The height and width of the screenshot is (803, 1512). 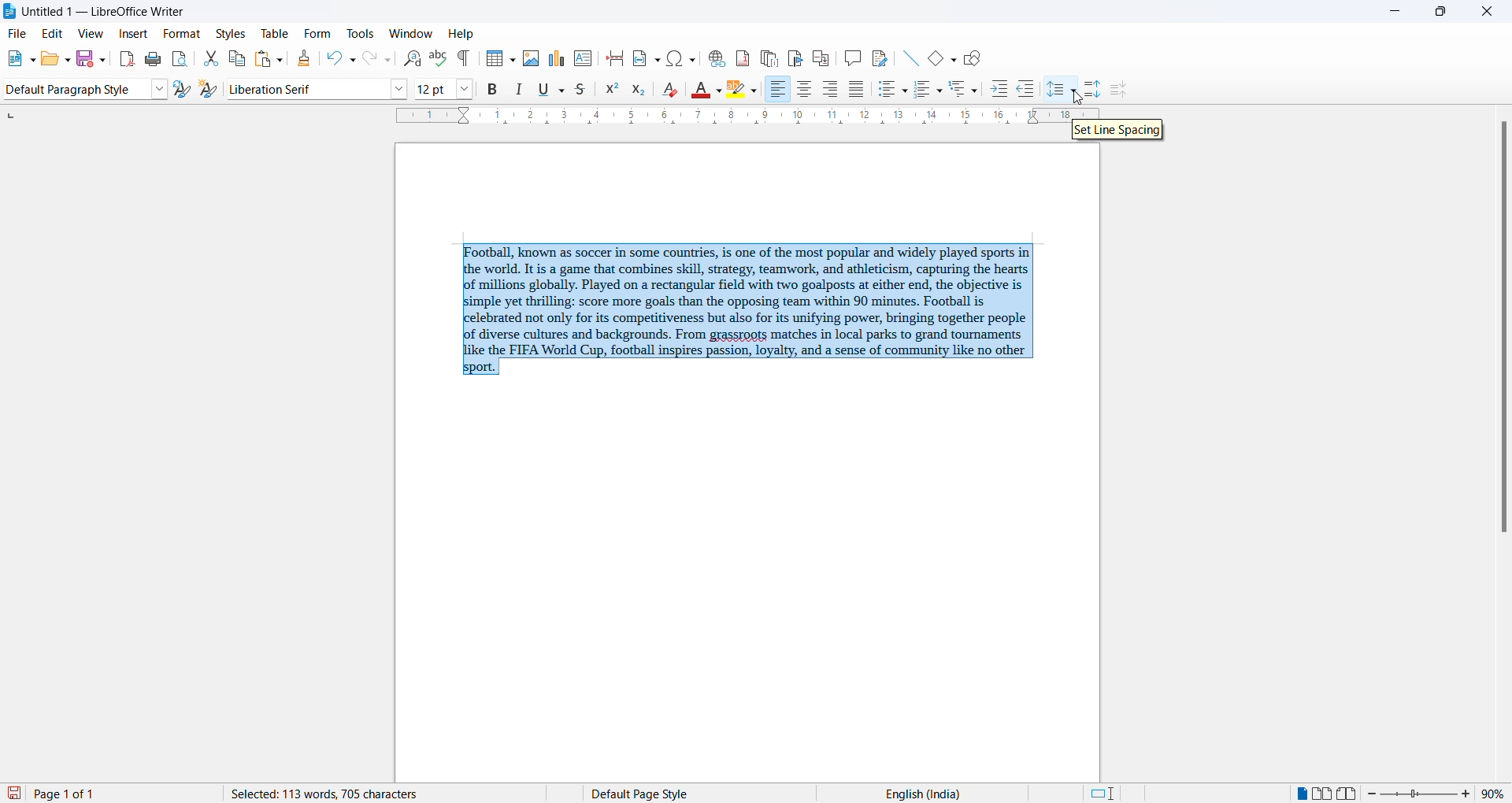 What do you see at coordinates (1298, 794) in the screenshot?
I see `single page view` at bounding box center [1298, 794].